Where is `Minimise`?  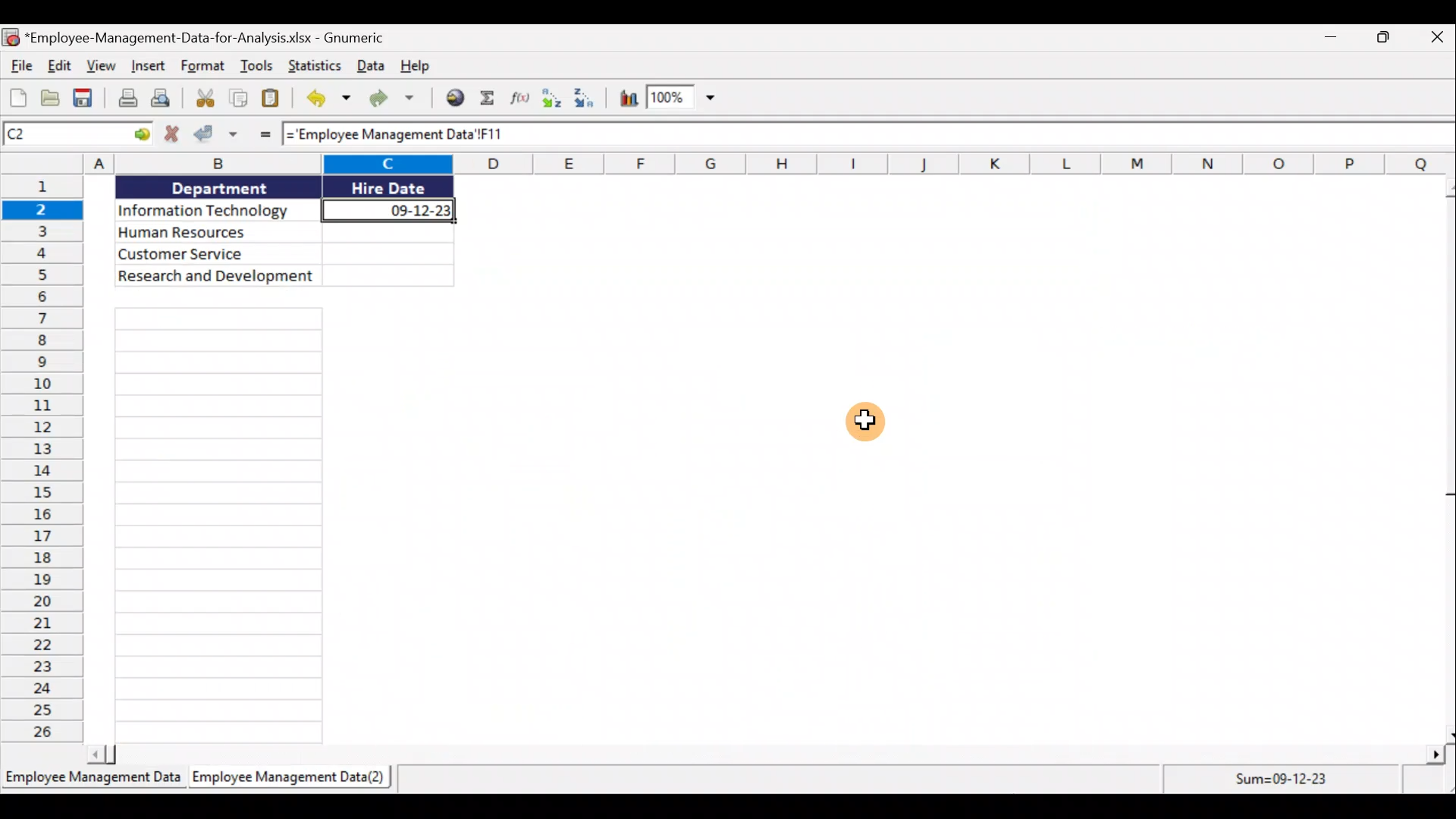
Minimise is located at coordinates (1332, 36).